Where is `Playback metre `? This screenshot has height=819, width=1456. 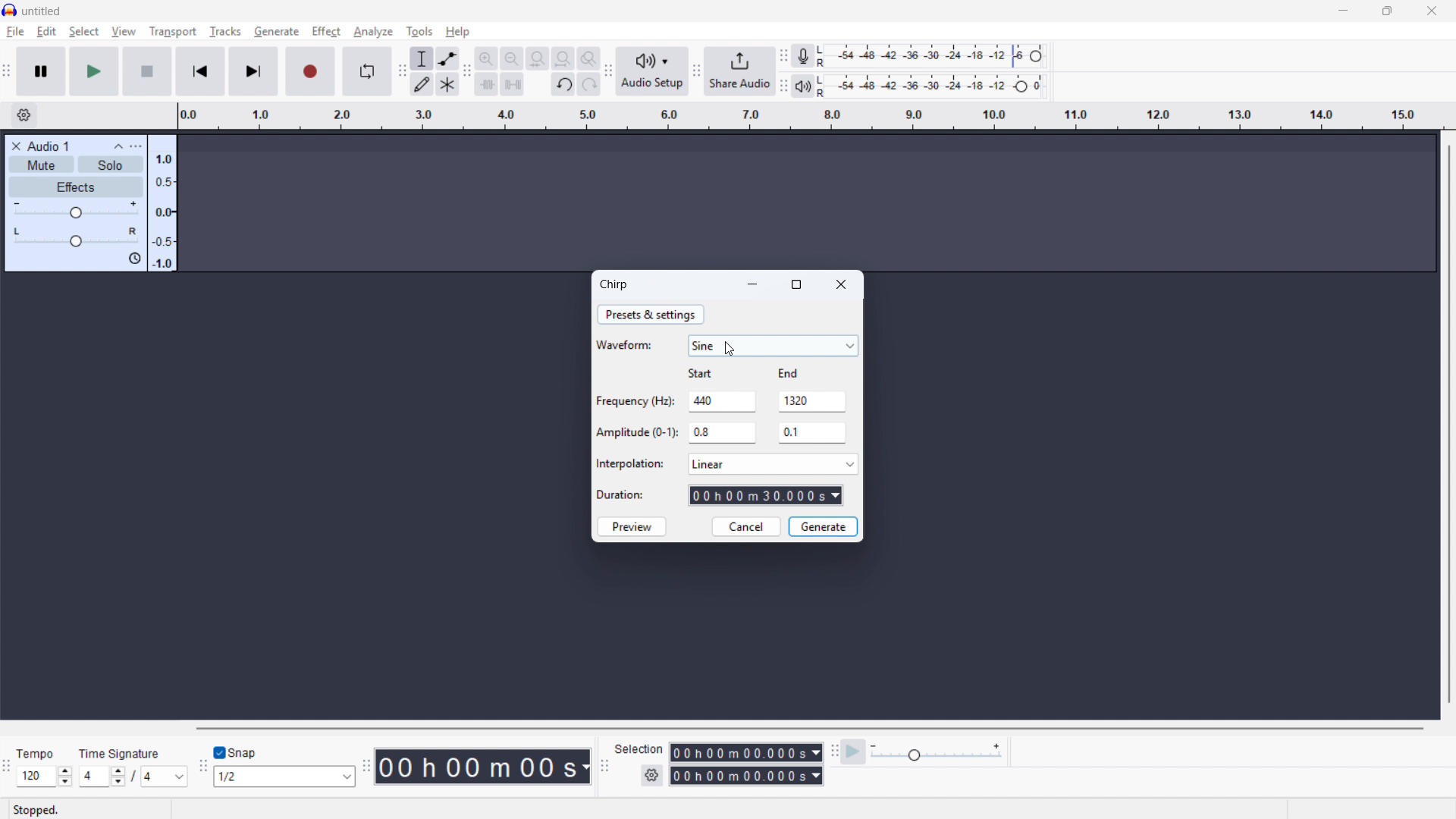
Playback metre  is located at coordinates (803, 86).